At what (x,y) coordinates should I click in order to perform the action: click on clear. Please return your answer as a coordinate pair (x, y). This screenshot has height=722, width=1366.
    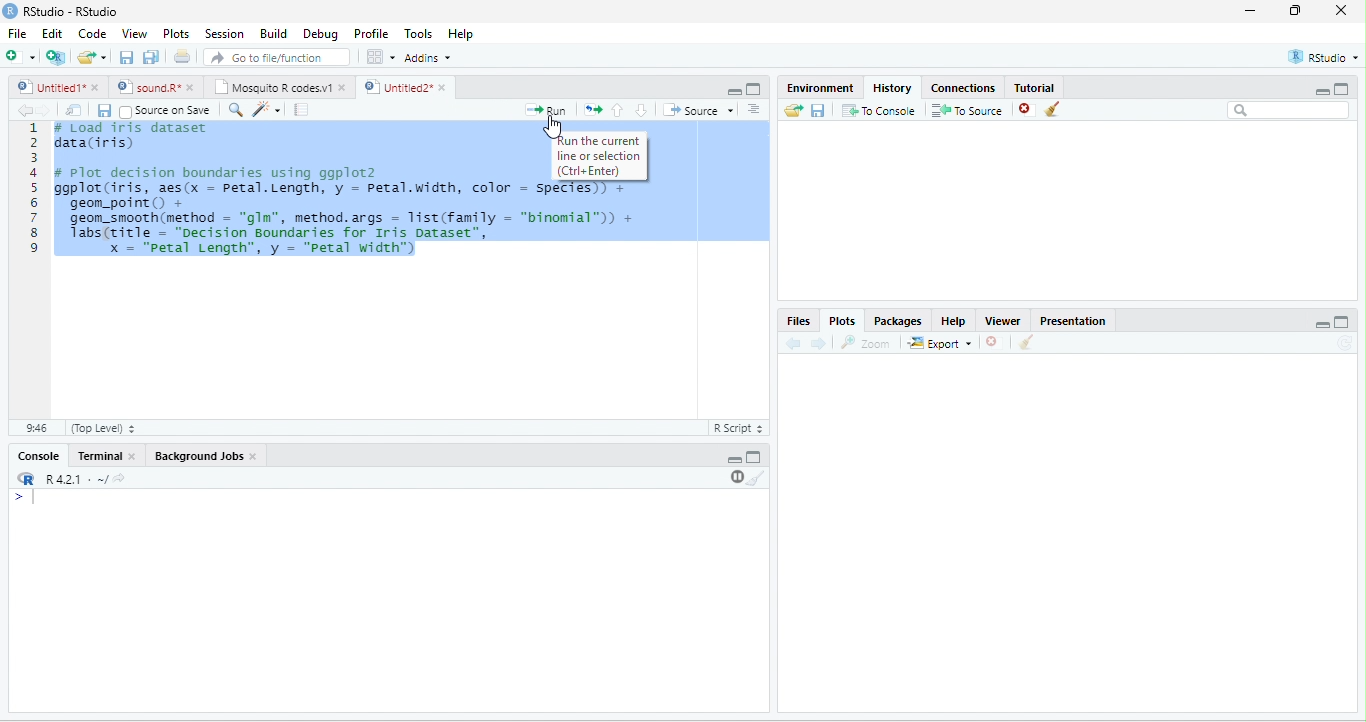
    Looking at the image, I should click on (757, 478).